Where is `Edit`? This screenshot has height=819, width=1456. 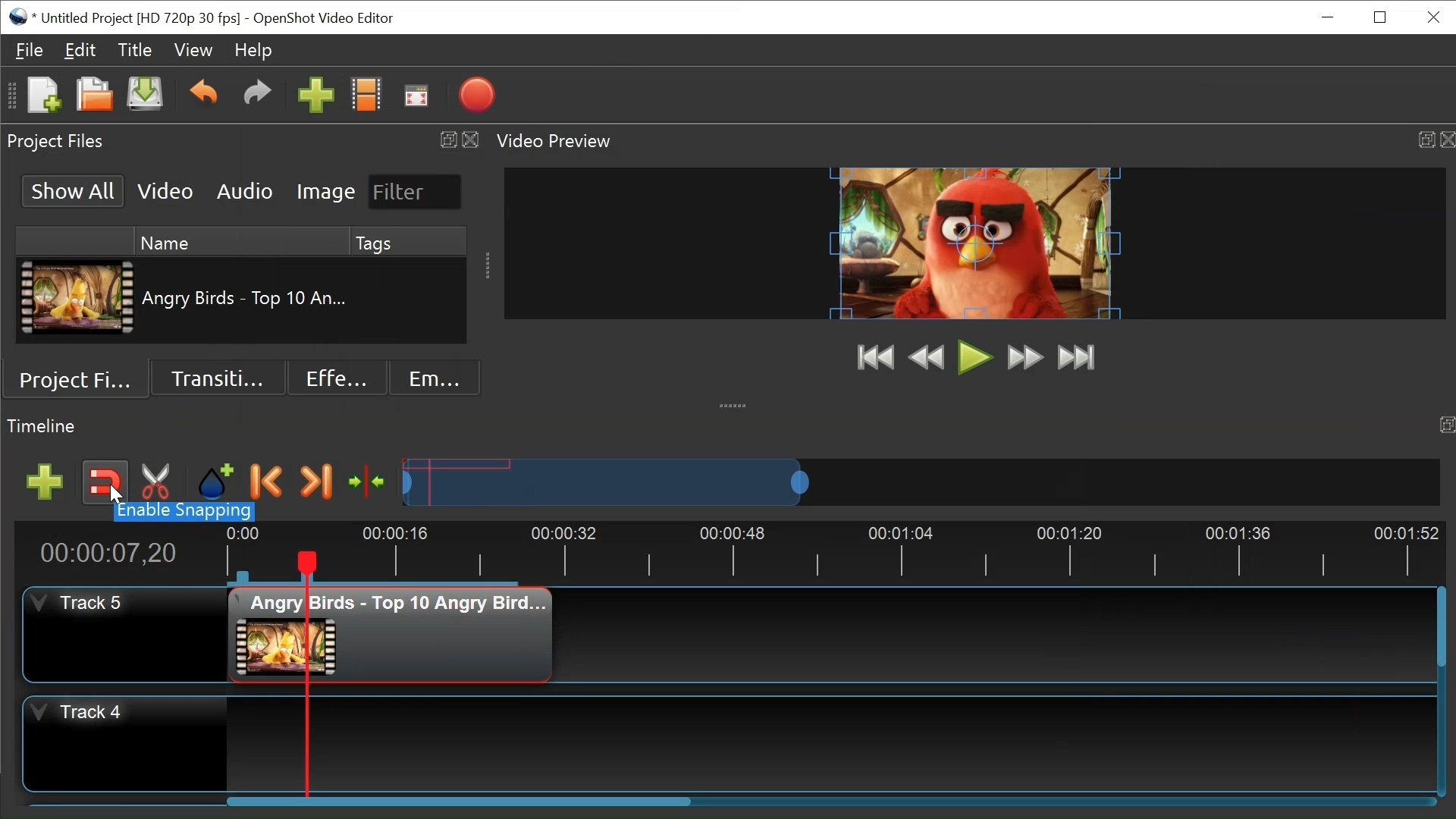 Edit is located at coordinates (80, 50).